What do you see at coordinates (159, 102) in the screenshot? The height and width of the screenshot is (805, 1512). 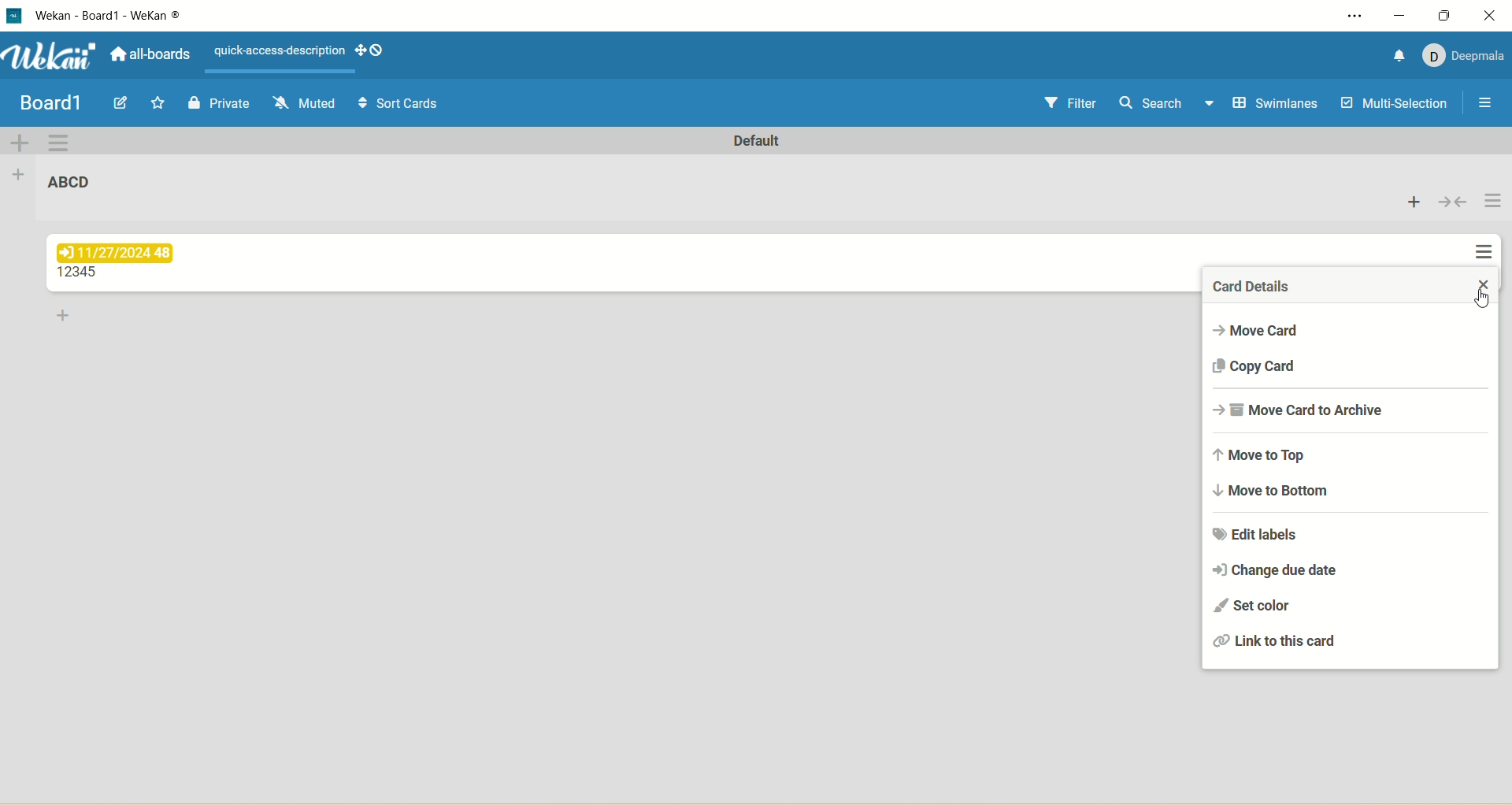 I see `favorite` at bounding box center [159, 102].